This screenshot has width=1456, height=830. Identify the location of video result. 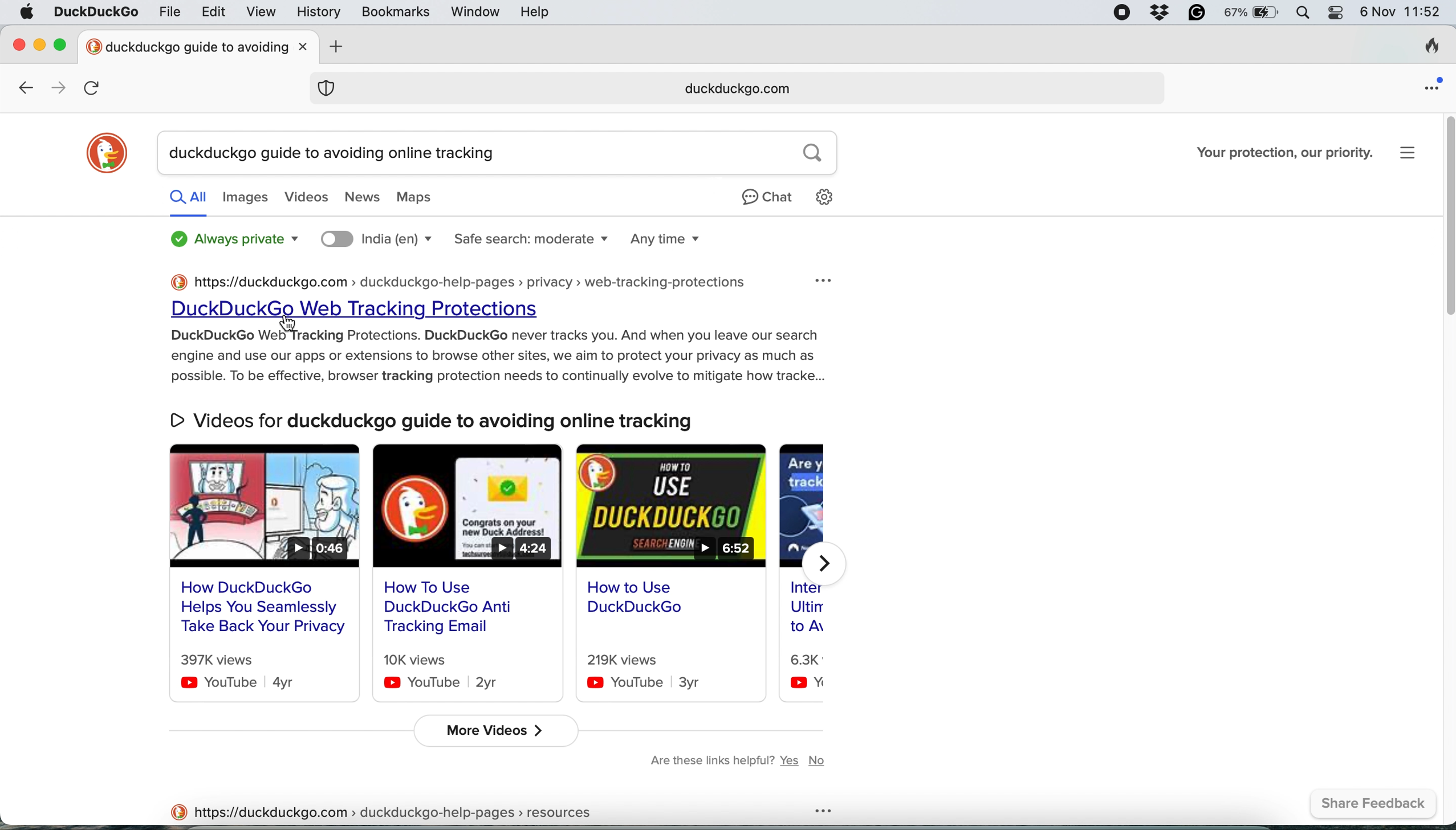
(253, 507).